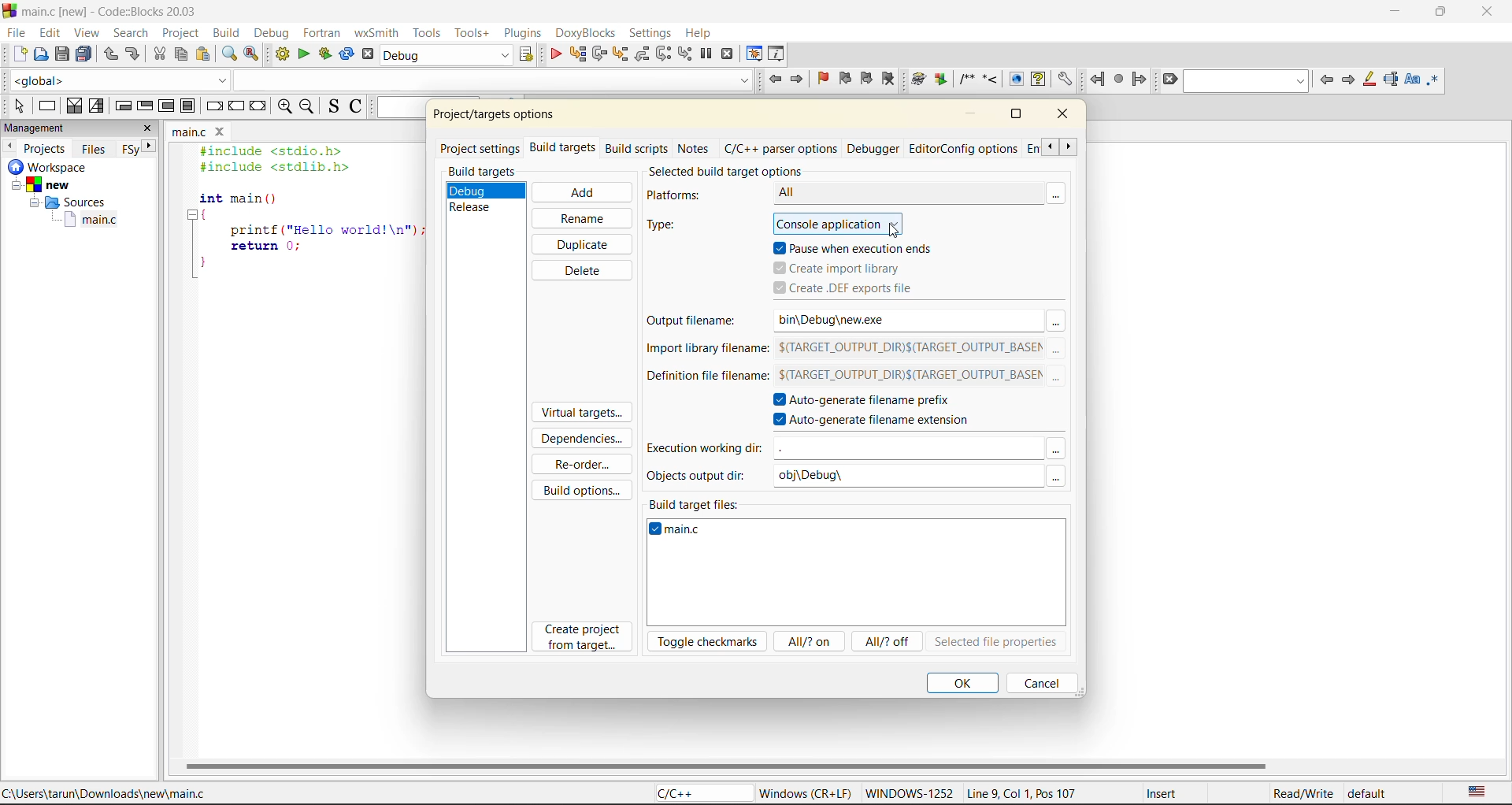  I want to click on , so click(130, 150).